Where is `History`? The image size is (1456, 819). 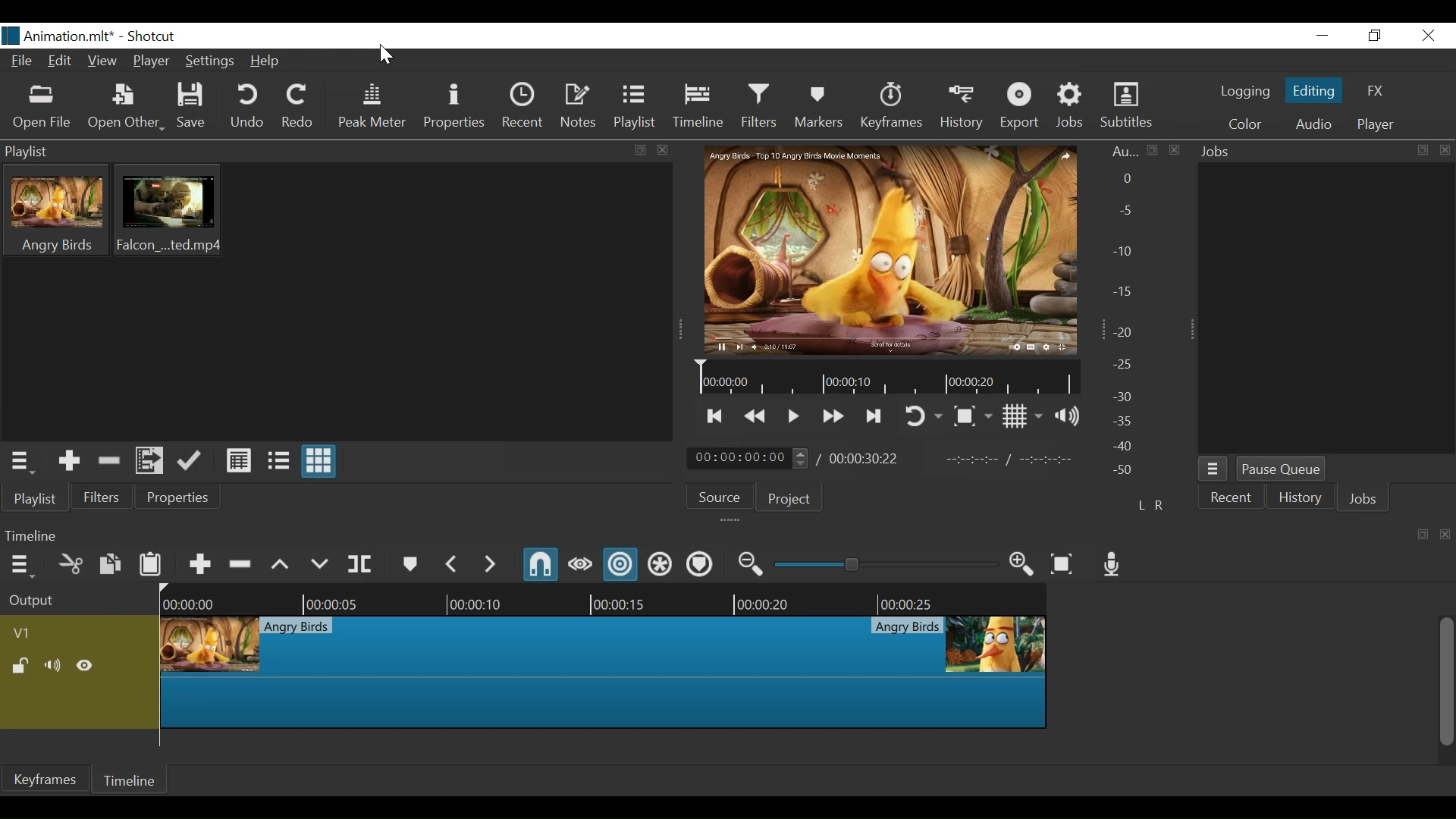
History is located at coordinates (962, 108).